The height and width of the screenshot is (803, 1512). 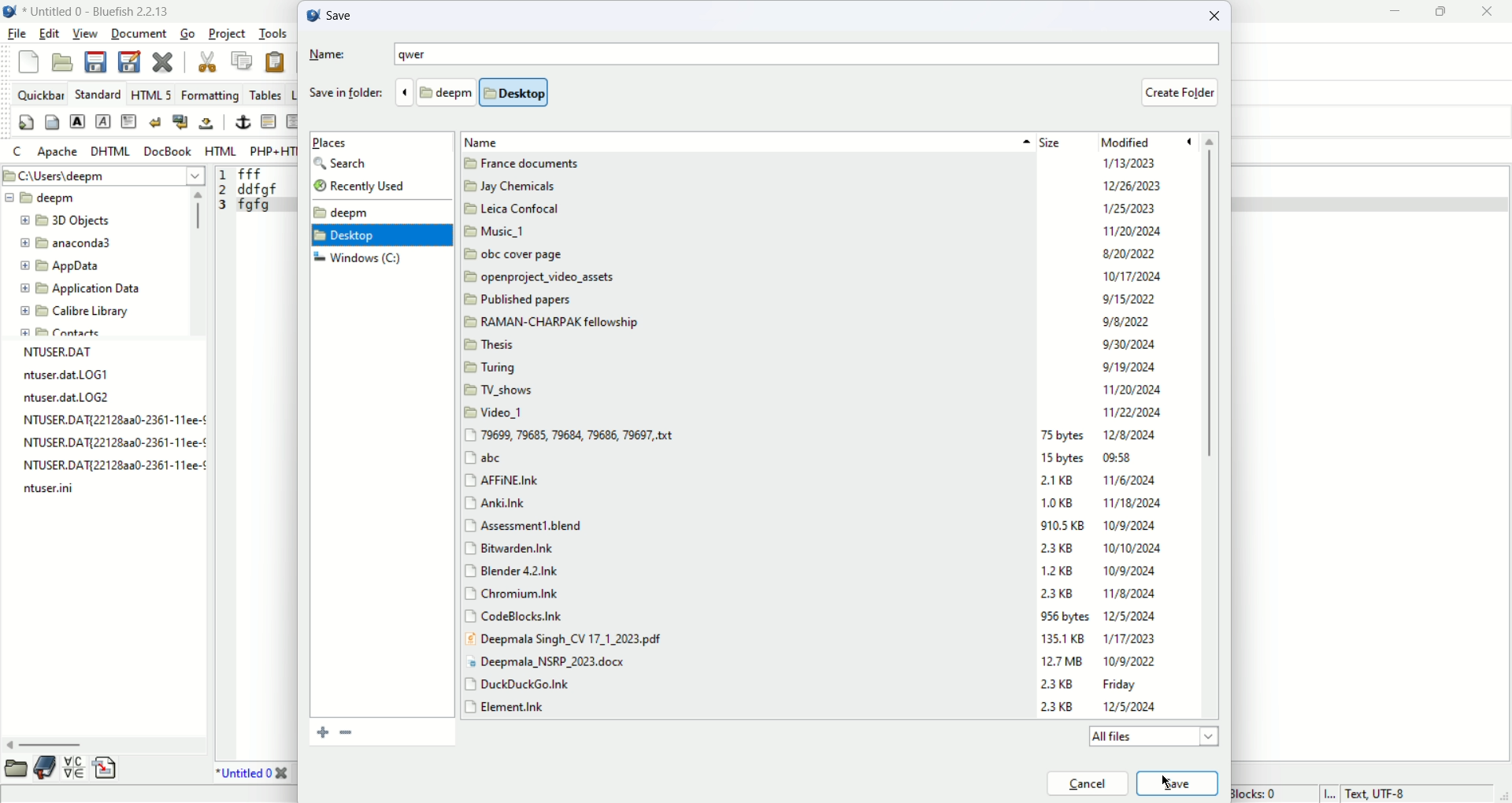 I want to click on formatting, so click(x=210, y=94).